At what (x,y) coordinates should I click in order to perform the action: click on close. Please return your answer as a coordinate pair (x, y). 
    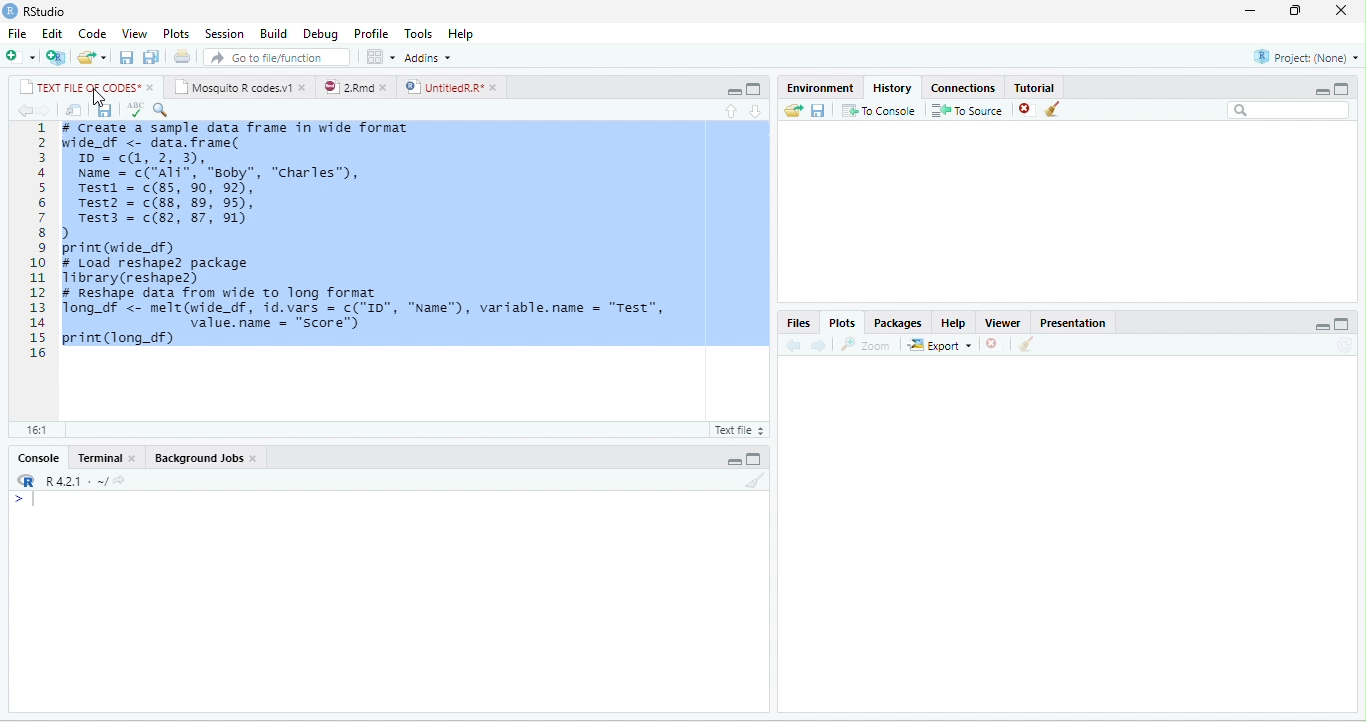
    Looking at the image, I should click on (304, 86).